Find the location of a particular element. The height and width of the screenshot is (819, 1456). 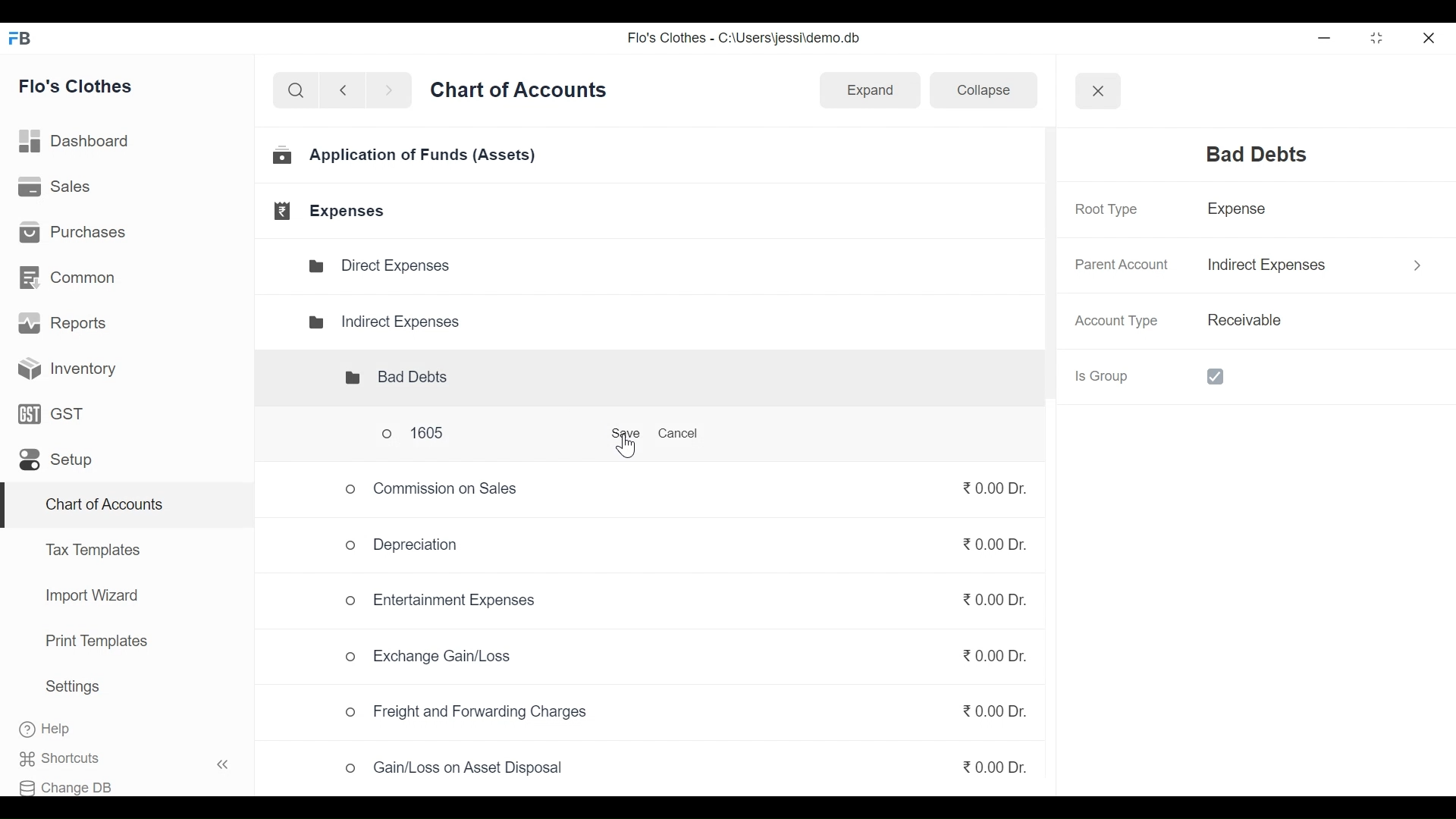

close is located at coordinates (1430, 36).